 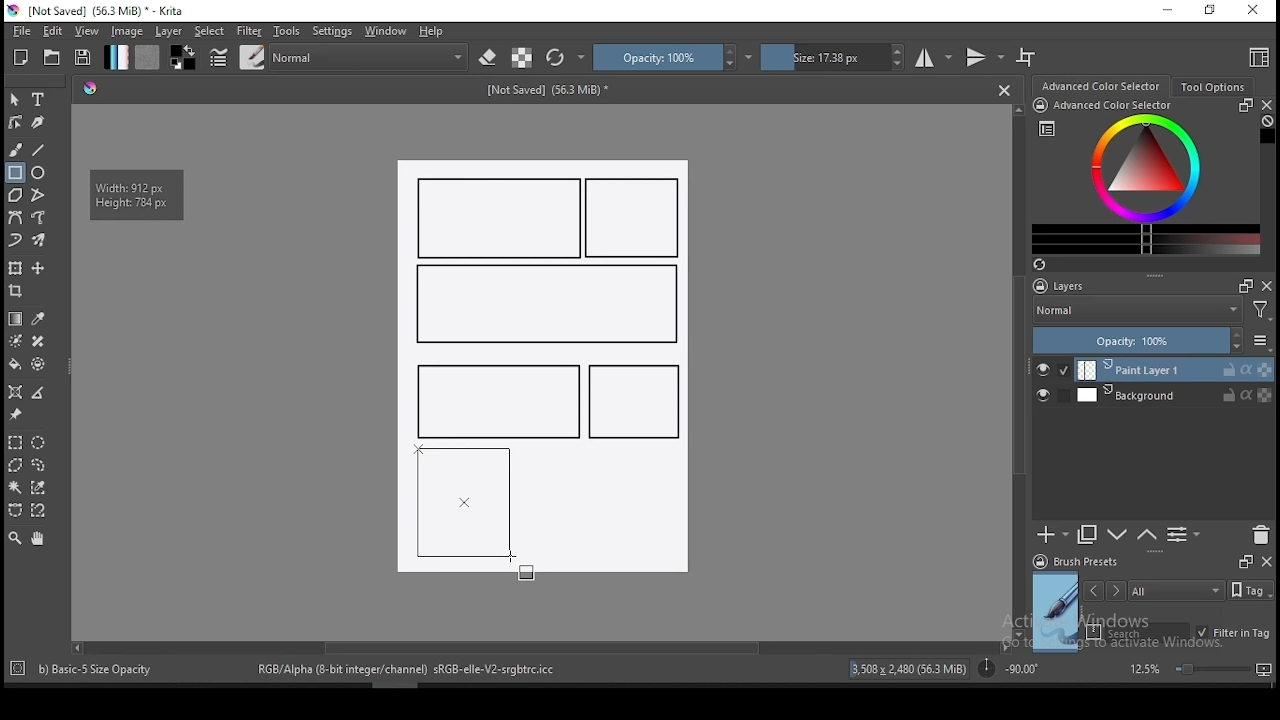 What do you see at coordinates (1183, 534) in the screenshot?
I see `view or change layer properties` at bounding box center [1183, 534].